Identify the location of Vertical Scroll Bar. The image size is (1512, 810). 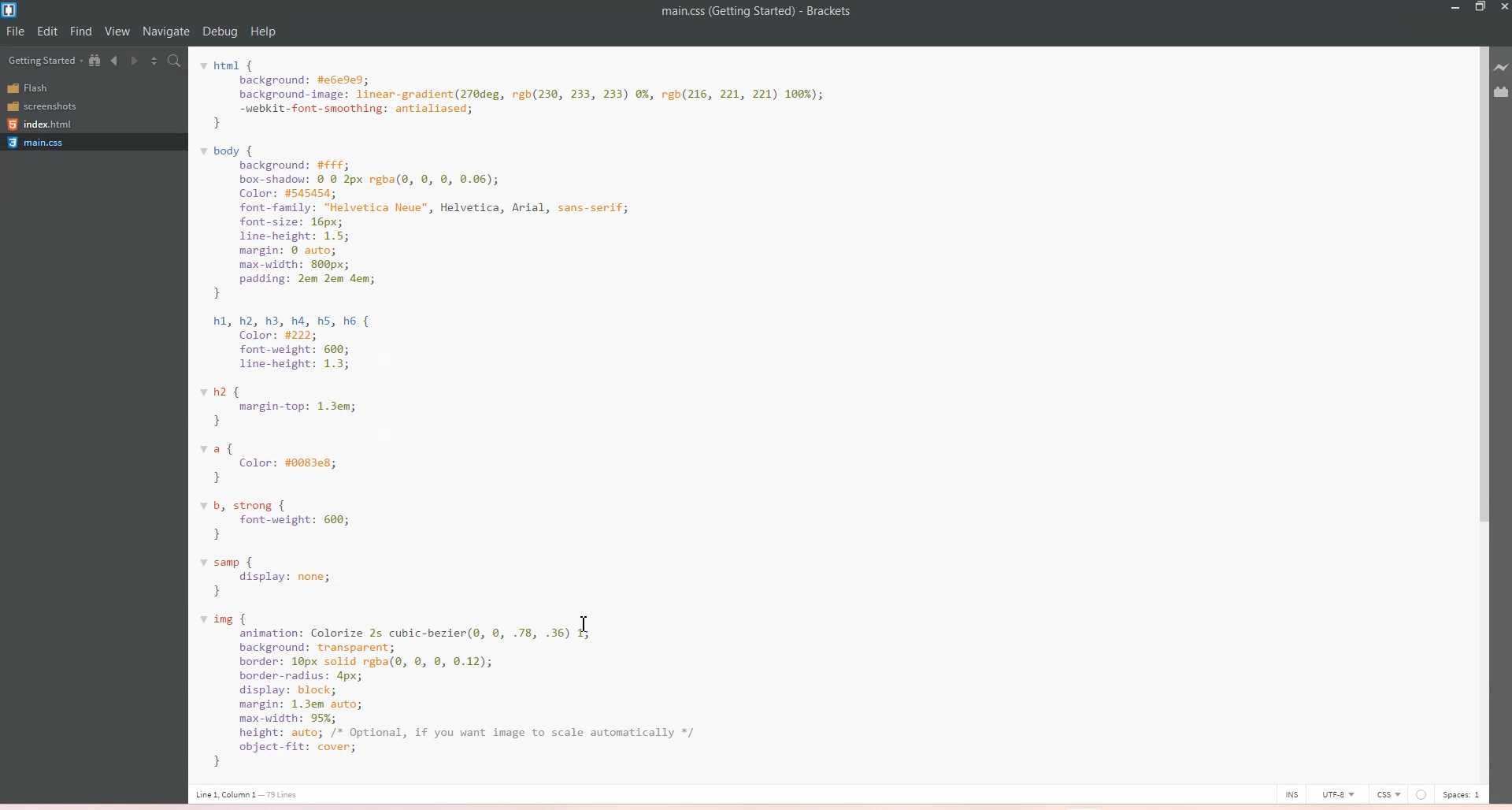
(1481, 421).